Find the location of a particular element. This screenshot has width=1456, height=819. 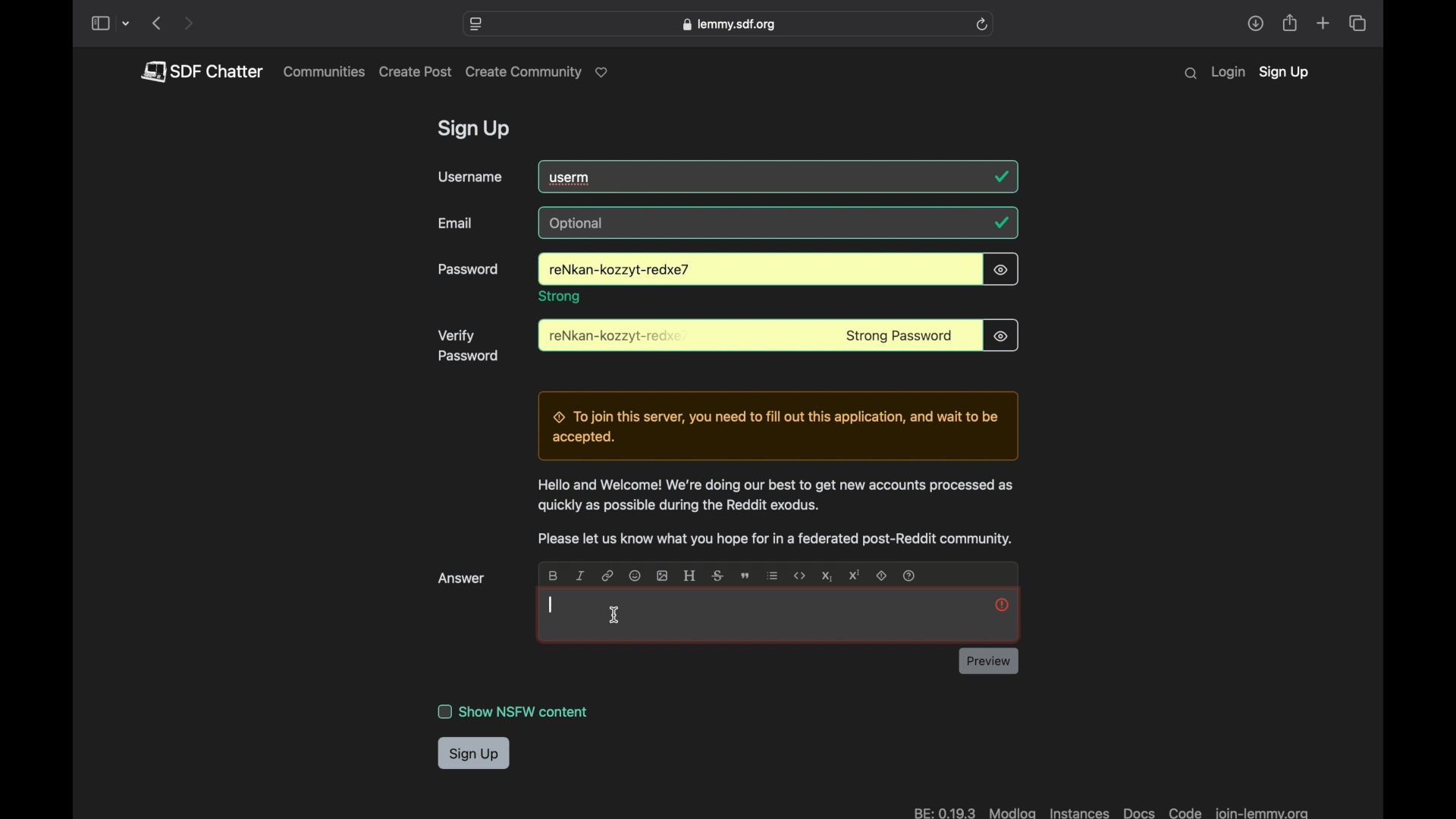

reddit posting notification is located at coordinates (774, 540).